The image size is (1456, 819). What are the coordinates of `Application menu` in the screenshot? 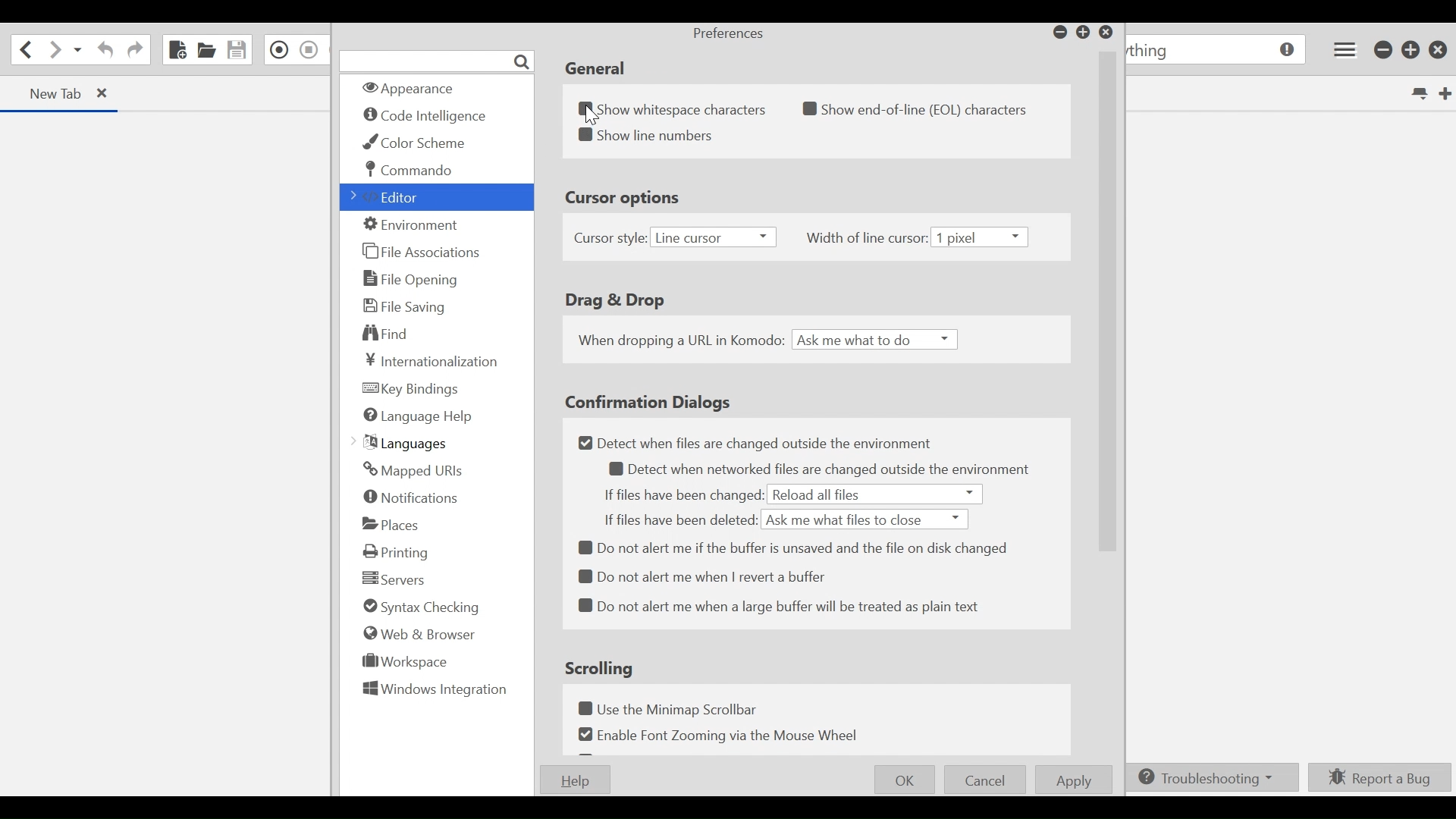 It's located at (1341, 50).